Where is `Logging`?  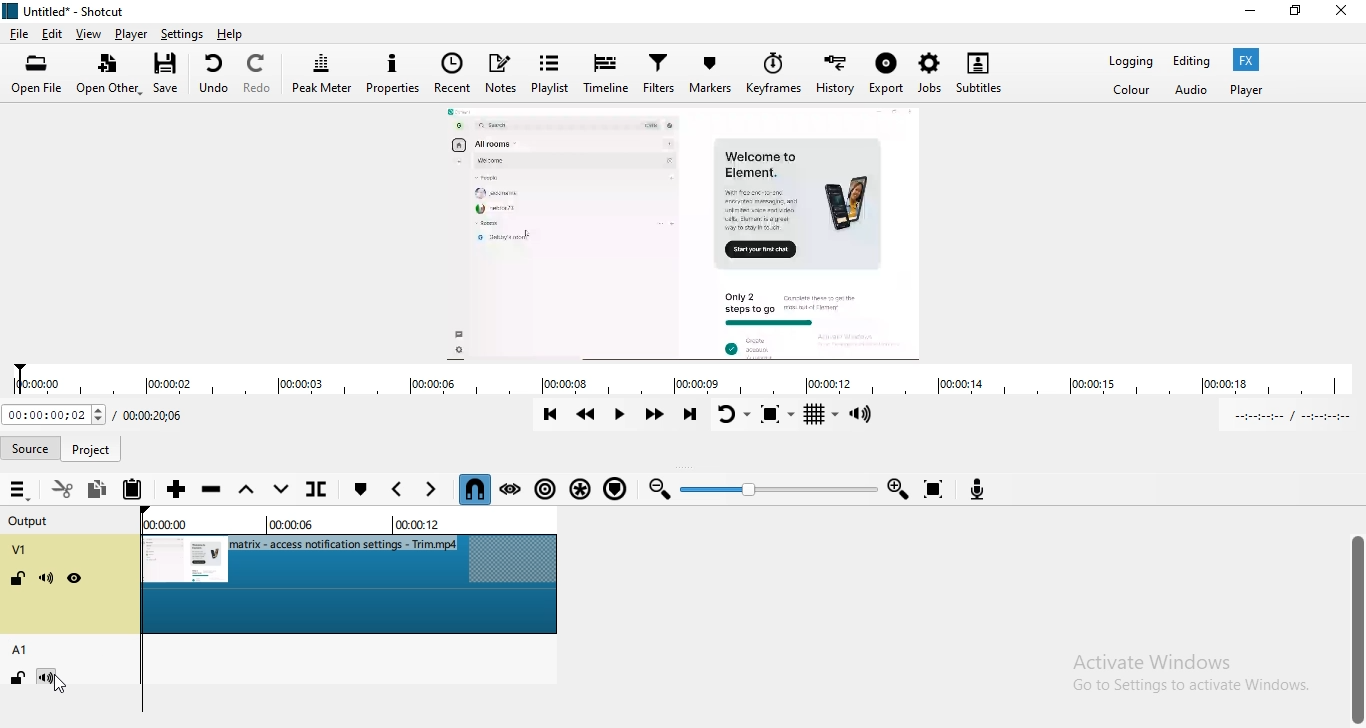 Logging is located at coordinates (1132, 61).